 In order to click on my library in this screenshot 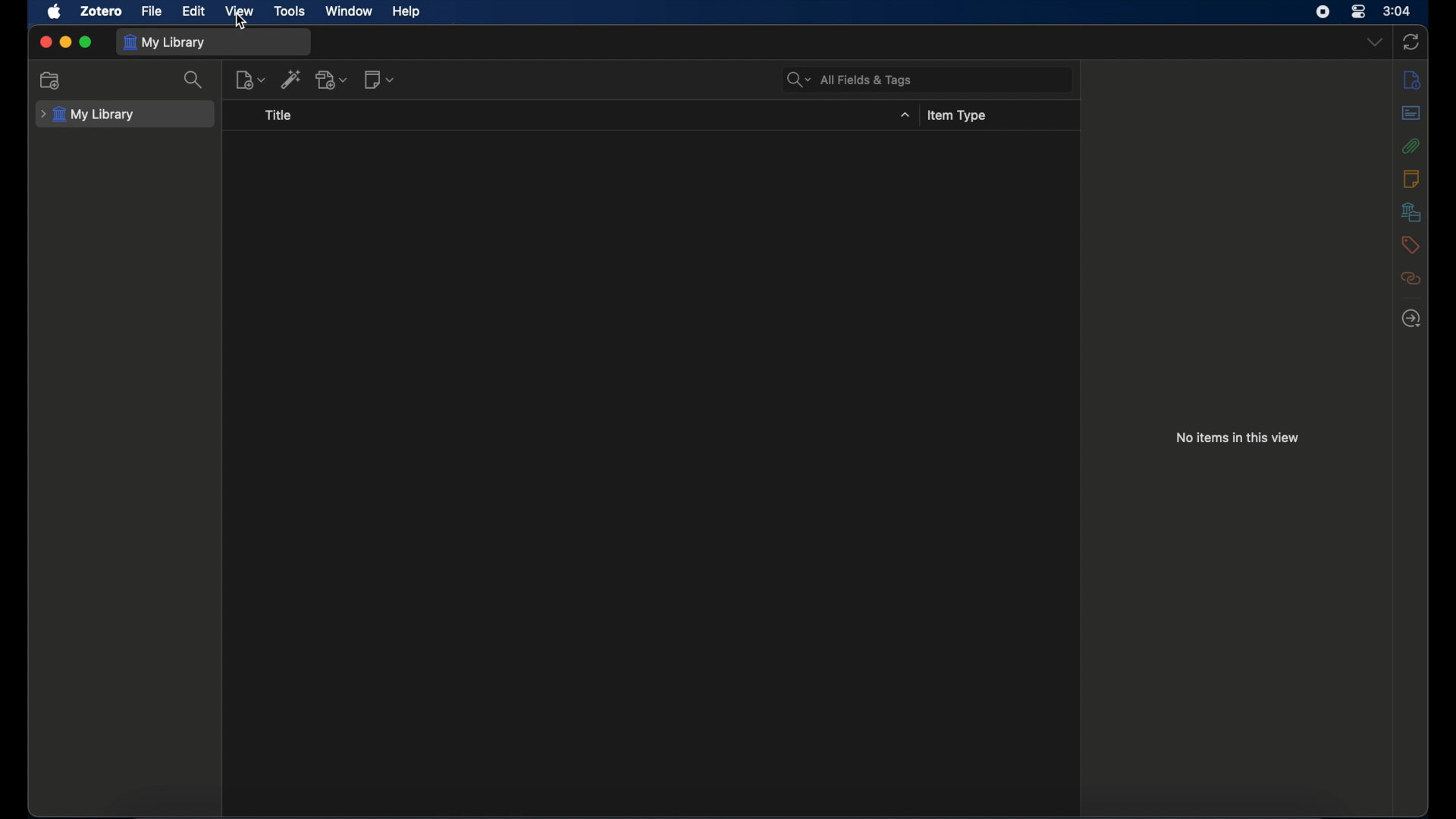, I will do `click(87, 115)`.